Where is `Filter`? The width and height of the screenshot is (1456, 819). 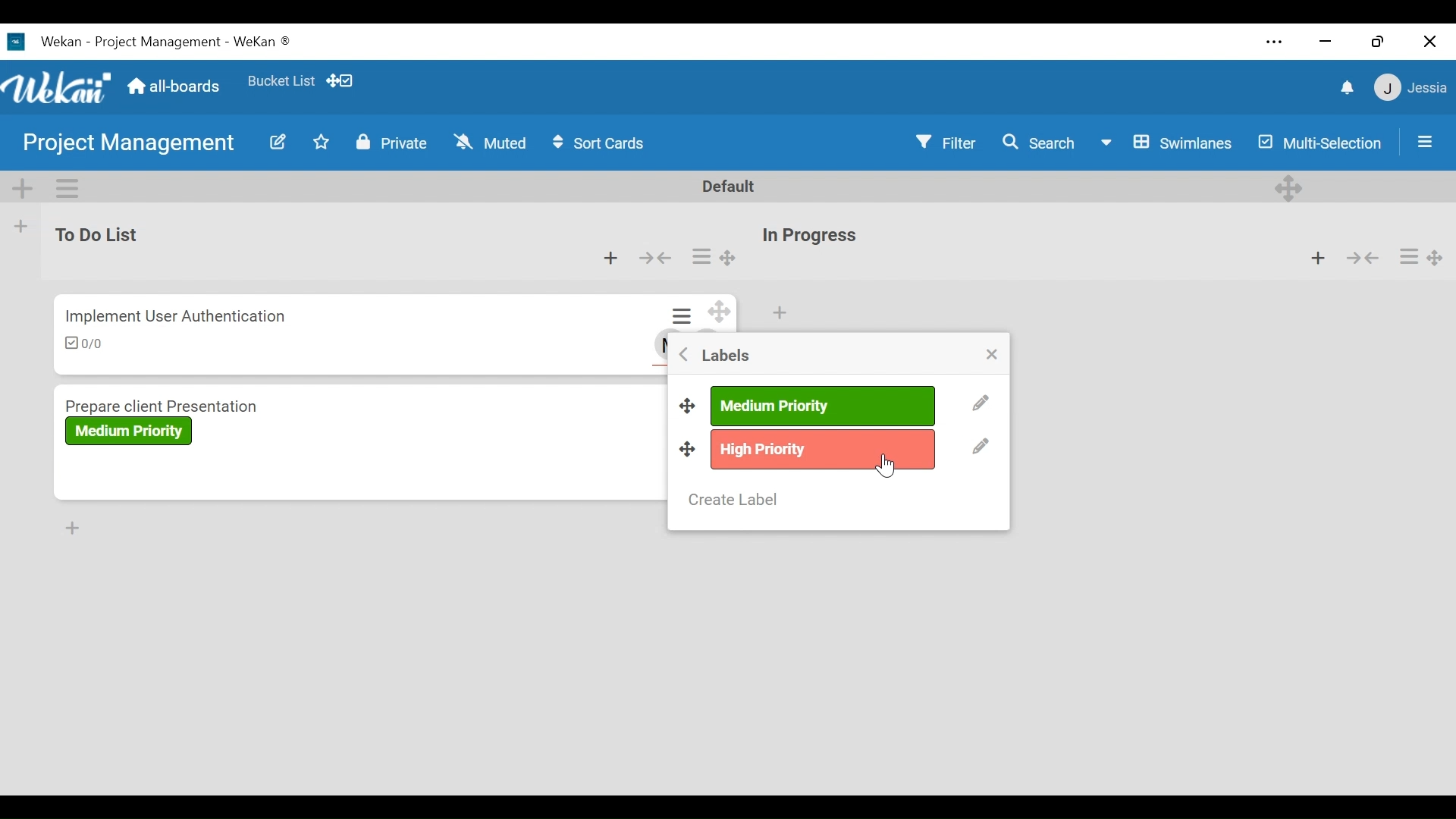 Filter is located at coordinates (943, 143).